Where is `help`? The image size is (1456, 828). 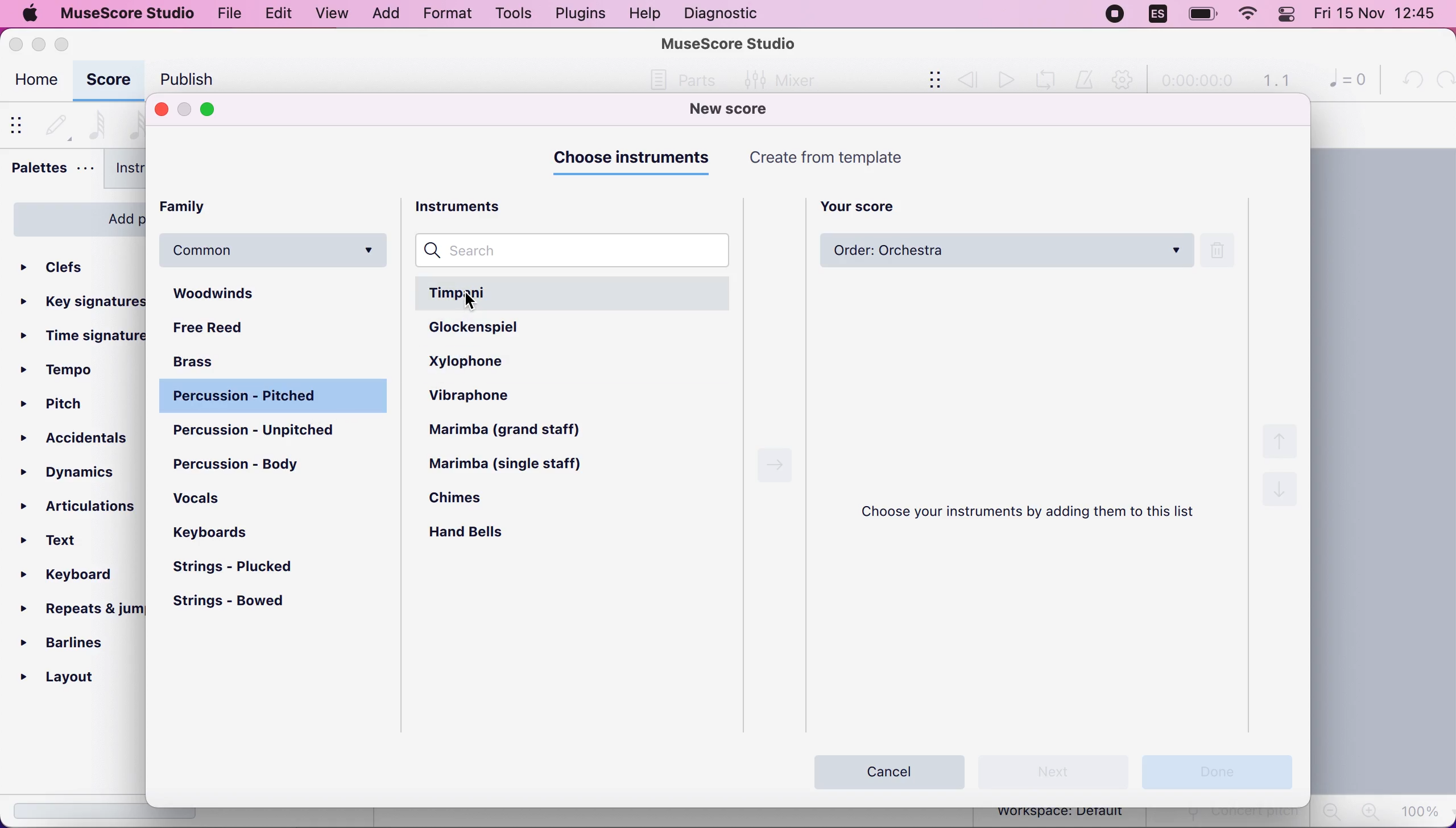
help is located at coordinates (644, 14).